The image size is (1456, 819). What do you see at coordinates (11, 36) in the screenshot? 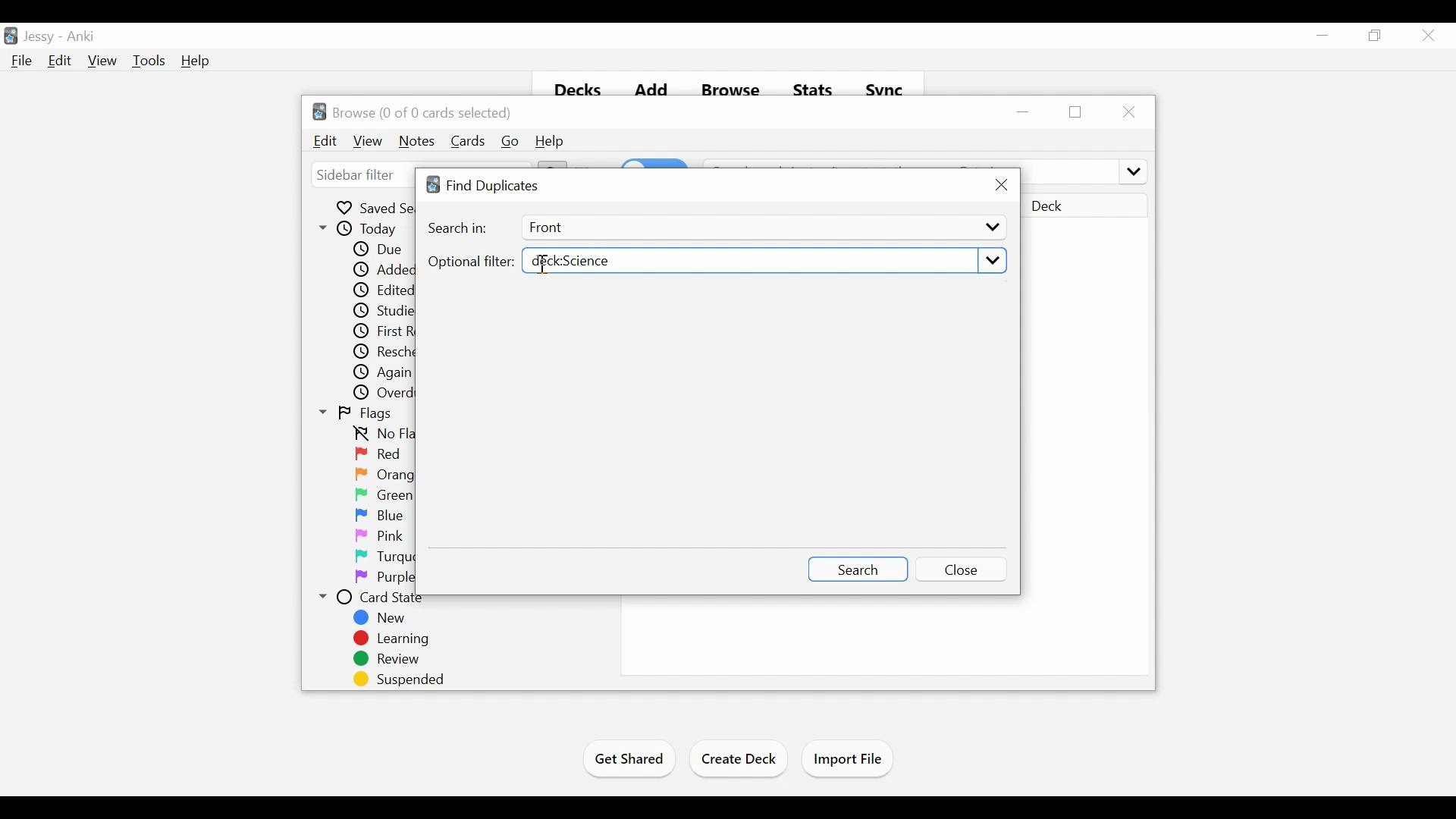
I see `Anki Desktop Icon` at bounding box center [11, 36].